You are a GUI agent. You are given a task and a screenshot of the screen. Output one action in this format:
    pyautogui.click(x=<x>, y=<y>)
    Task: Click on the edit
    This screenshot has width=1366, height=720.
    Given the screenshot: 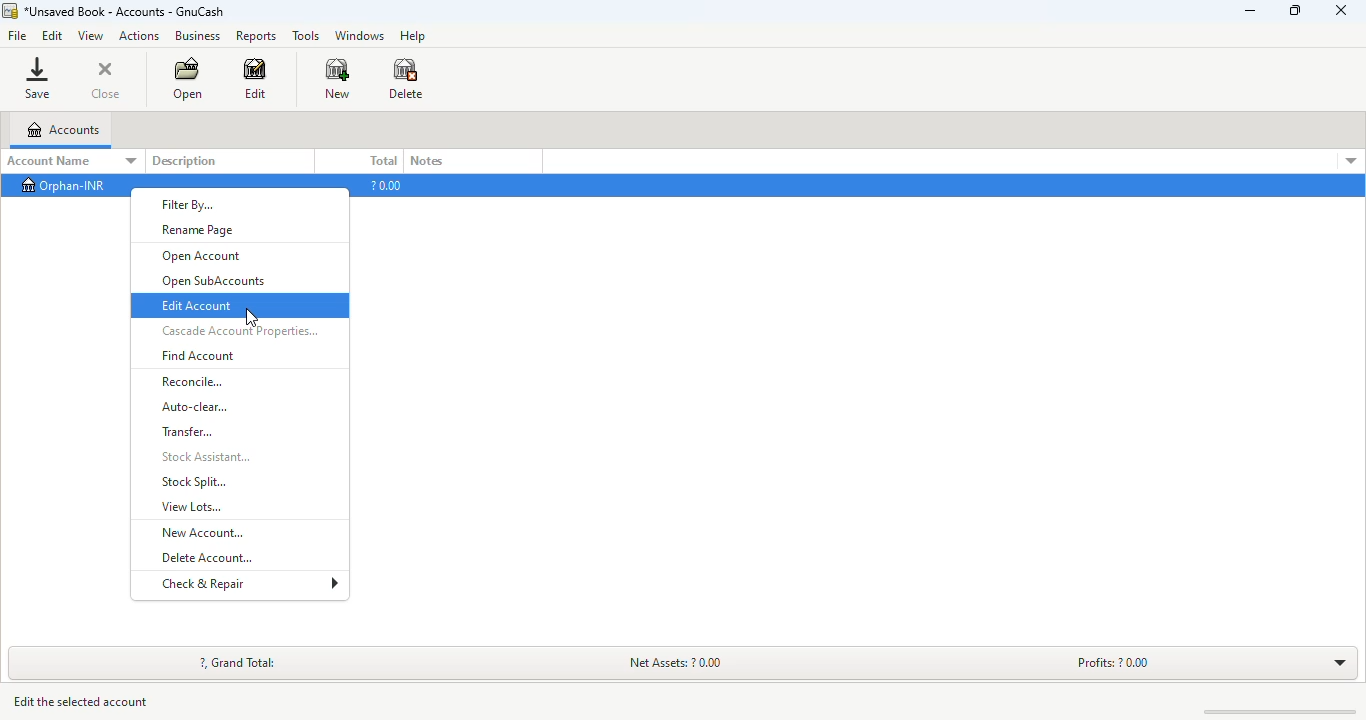 What is the action you would take?
    pyautogui.click(x=53, y=35)
    